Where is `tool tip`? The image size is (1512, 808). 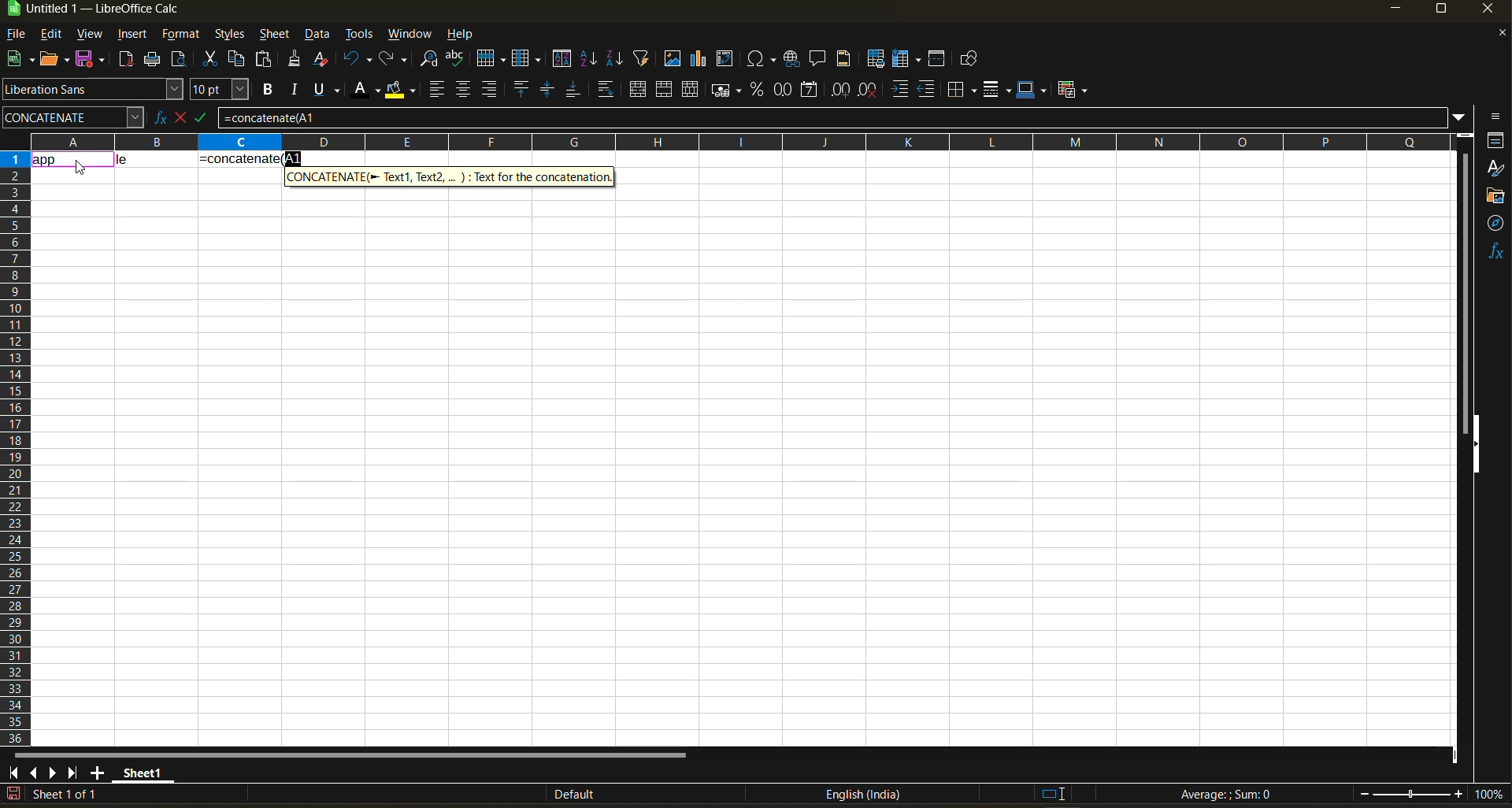
tool tip is located at coordinates (449, 176).